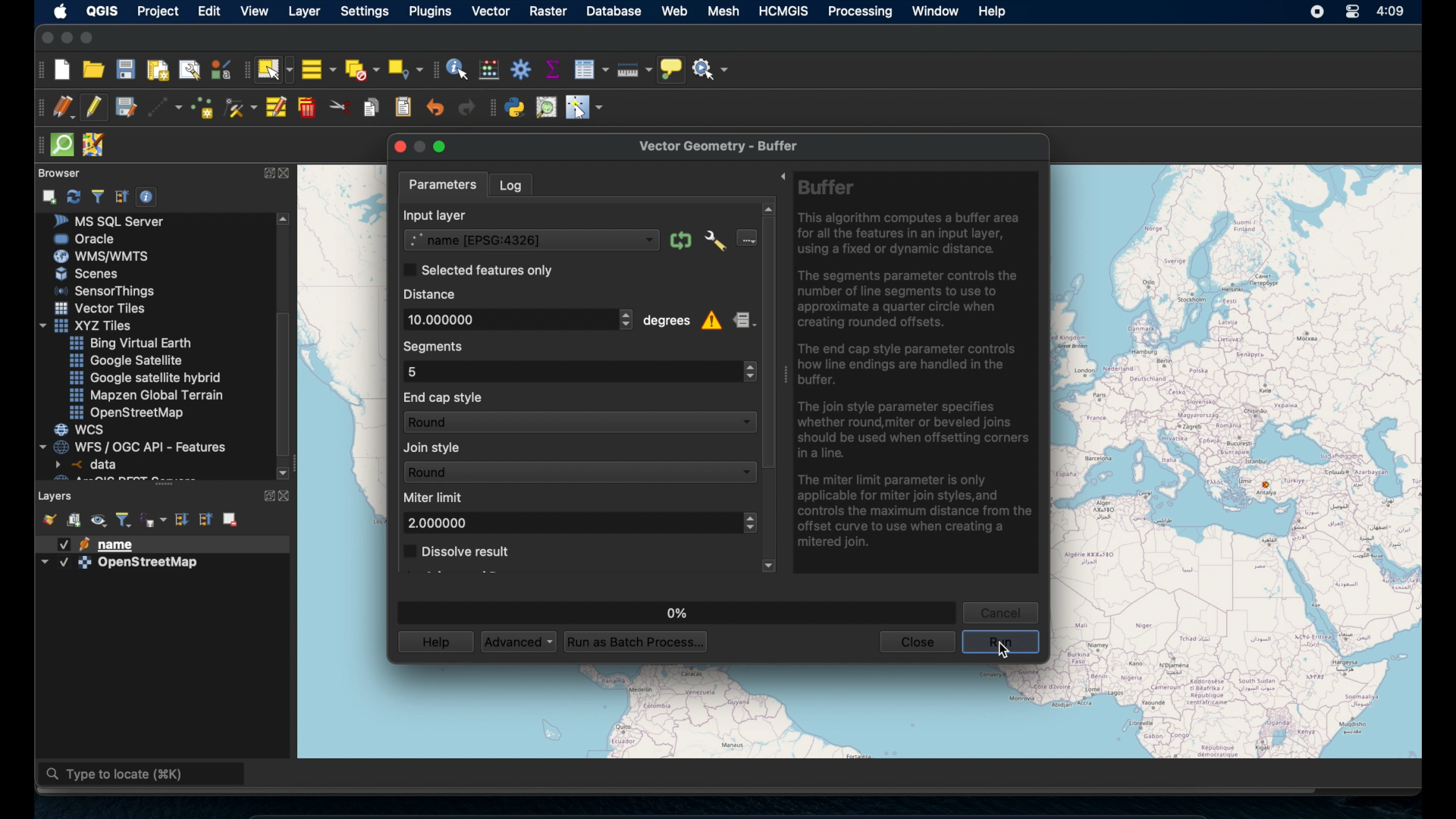  I want to click on no action selected, so click(714, 70).